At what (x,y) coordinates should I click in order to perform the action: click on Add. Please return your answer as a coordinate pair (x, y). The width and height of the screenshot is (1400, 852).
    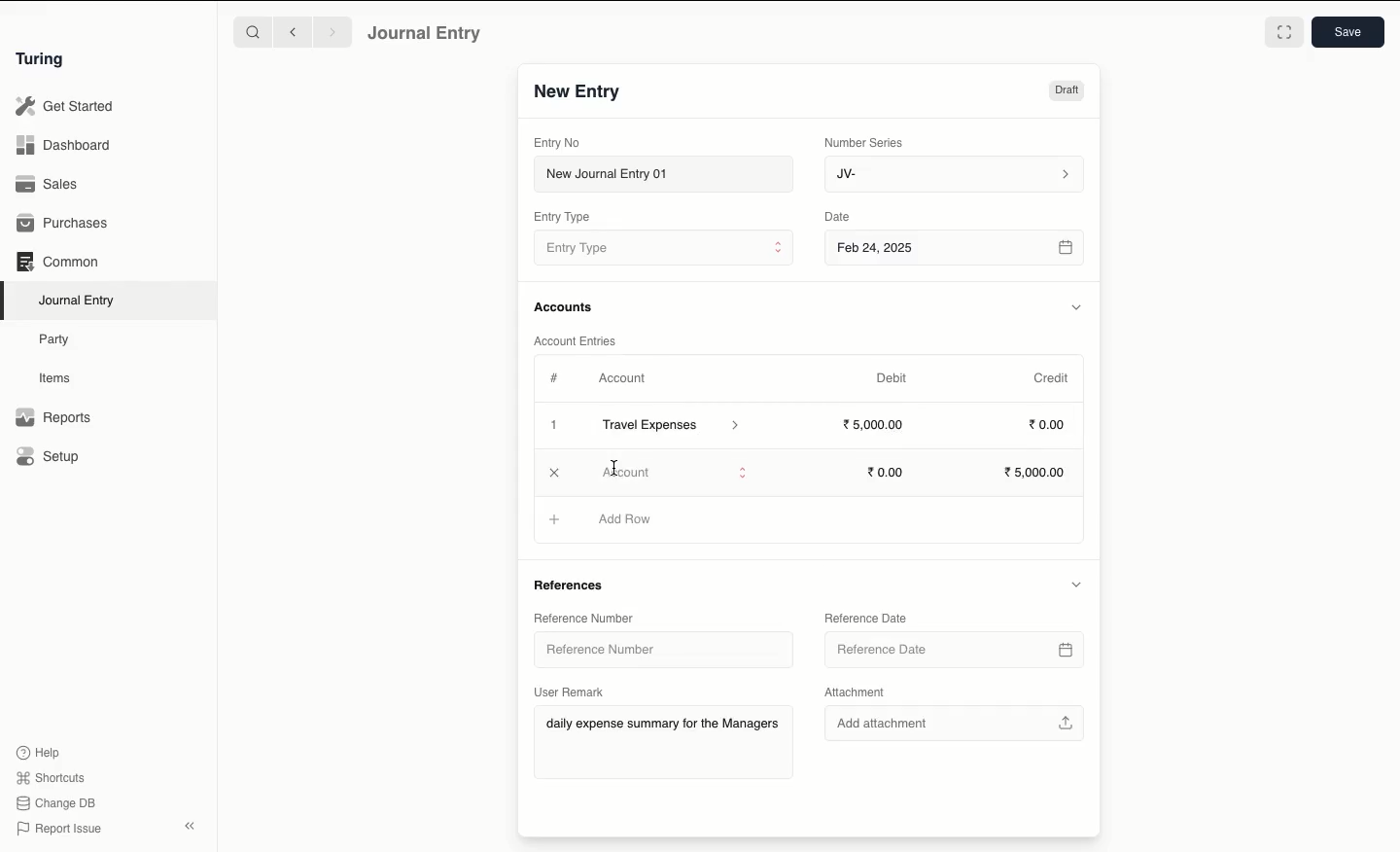
    Looking at the image, I should click on (553, 470).